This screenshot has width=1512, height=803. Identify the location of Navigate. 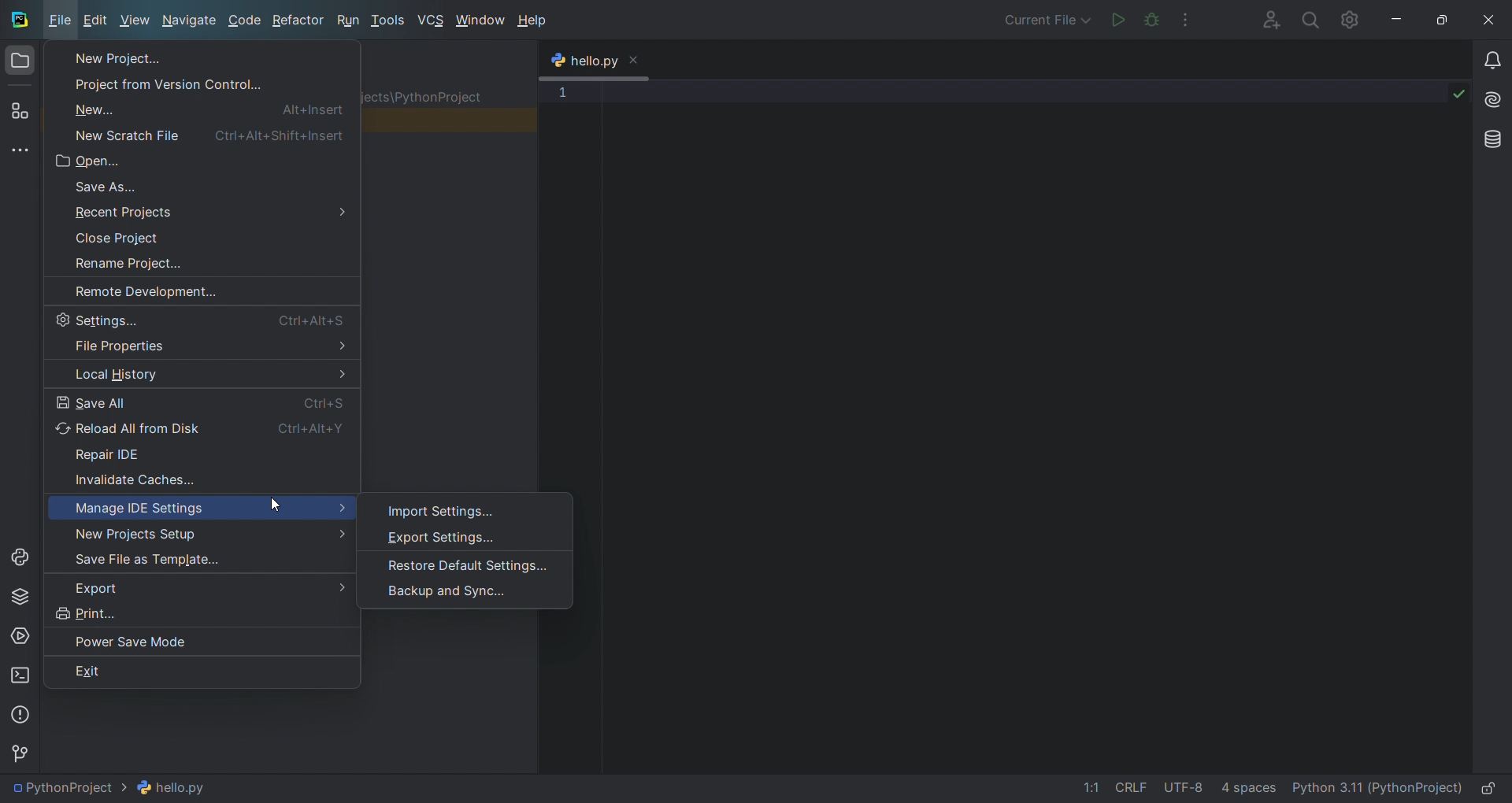
(190, 20).